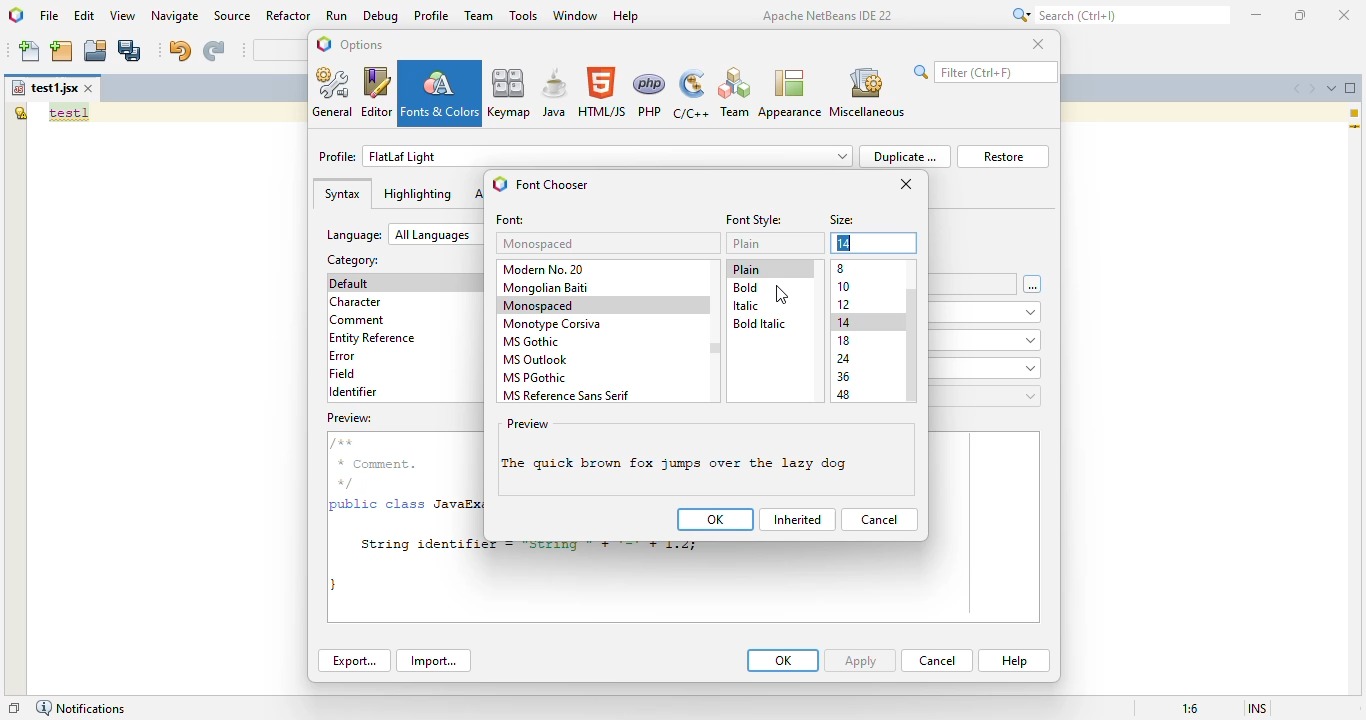  What do you see at coordinates (844, 376) in the screenshot?
I see `36` at bounding box center [844, 376].